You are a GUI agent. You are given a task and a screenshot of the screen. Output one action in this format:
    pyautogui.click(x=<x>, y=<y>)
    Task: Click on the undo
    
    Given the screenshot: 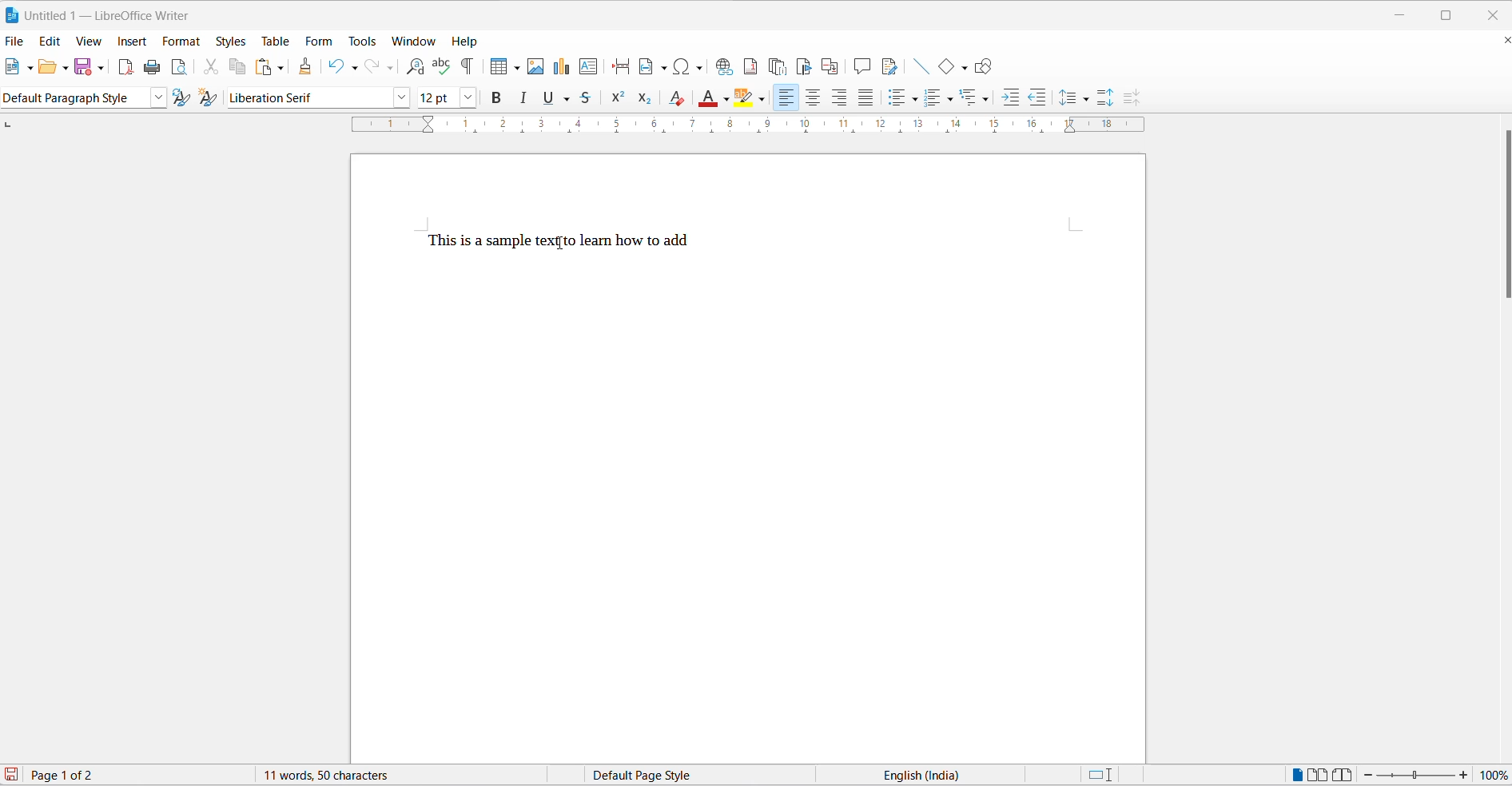 What is the action you would take?
    pyautogui.click(x=336, y=67)
    